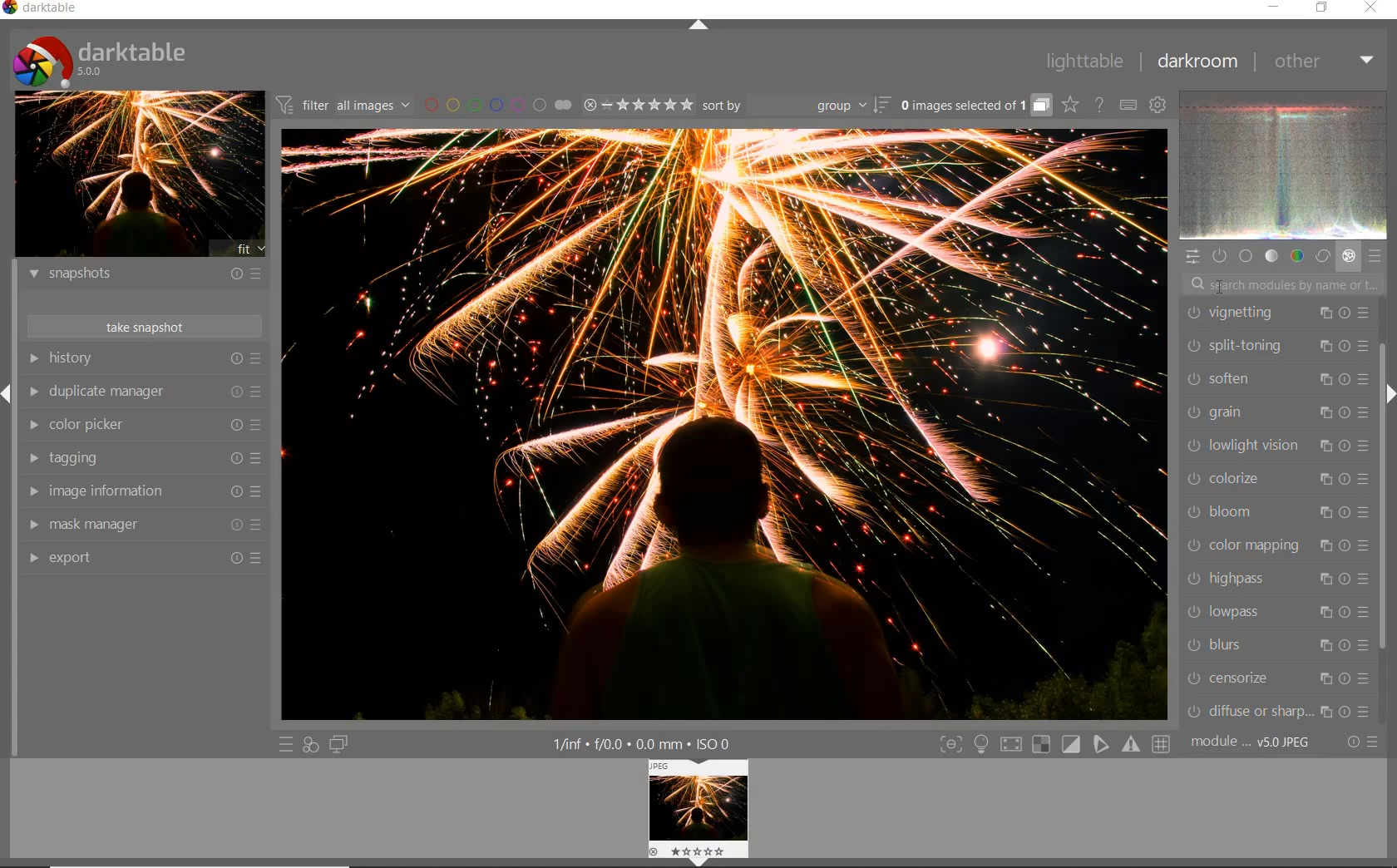  Describe the element at coordinates (139, 175) in the screenshot. I see `image preview` at that location.